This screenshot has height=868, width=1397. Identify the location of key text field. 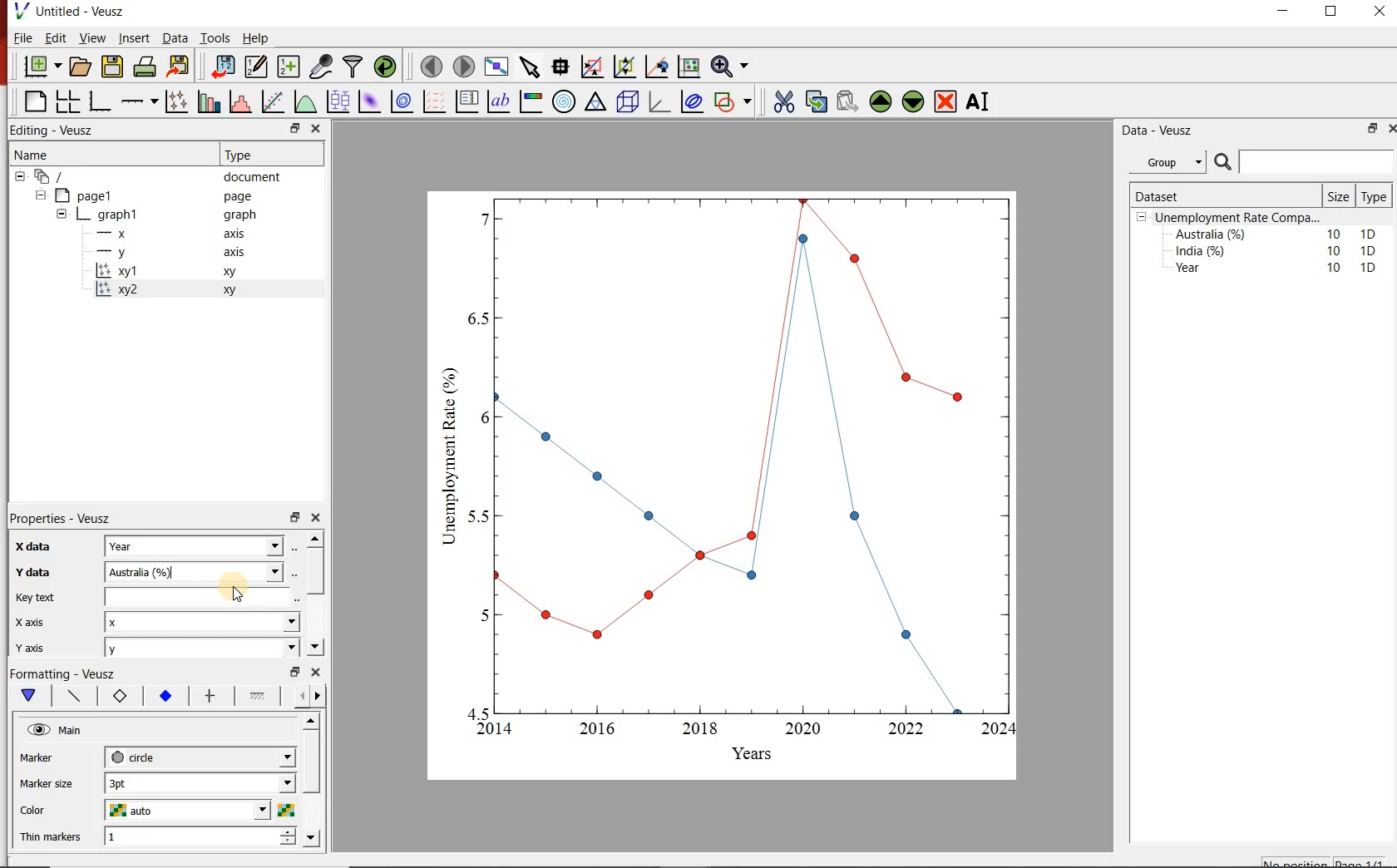
(200, 596).